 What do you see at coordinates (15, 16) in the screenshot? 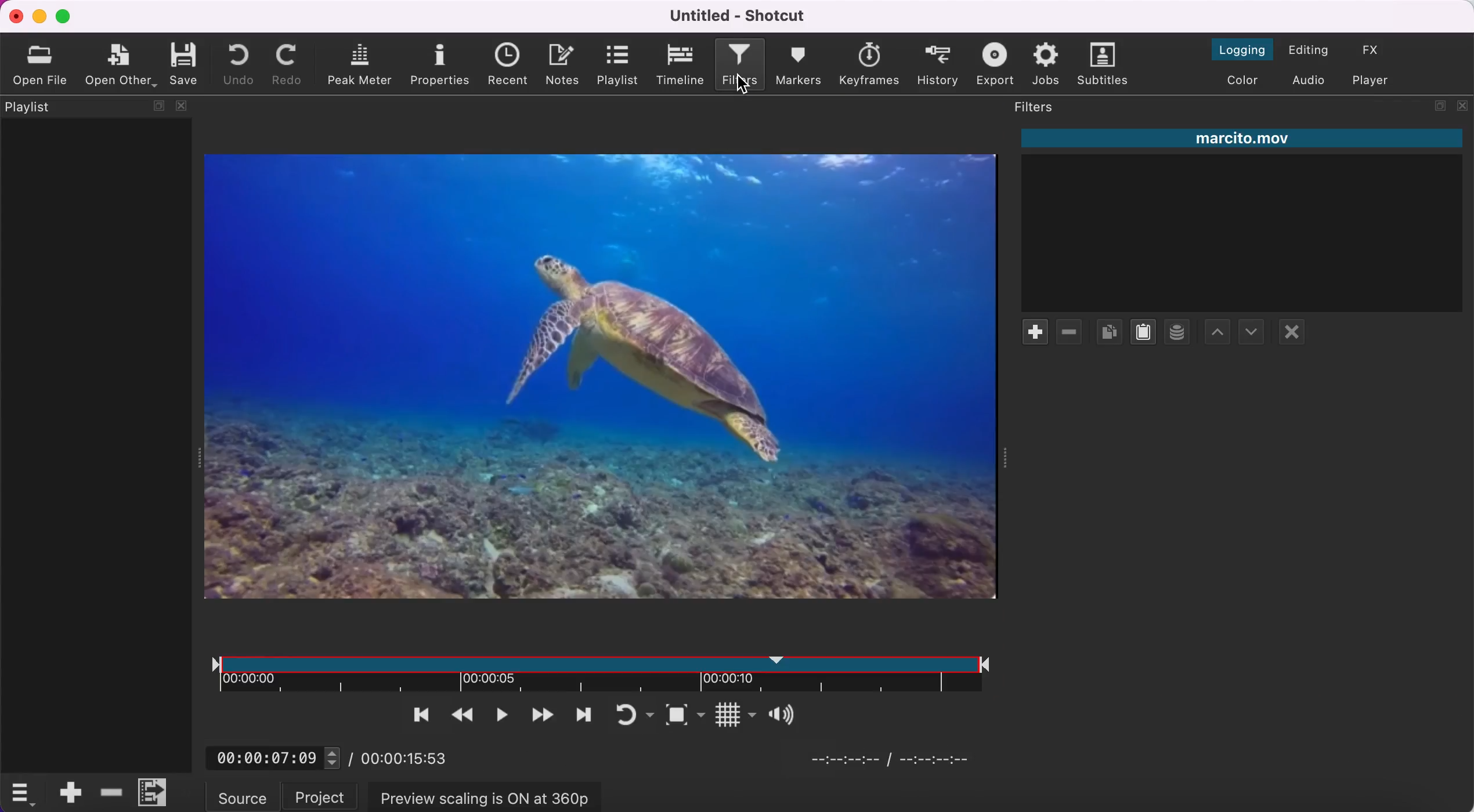
I see `close` at bounding box center [15, 16].